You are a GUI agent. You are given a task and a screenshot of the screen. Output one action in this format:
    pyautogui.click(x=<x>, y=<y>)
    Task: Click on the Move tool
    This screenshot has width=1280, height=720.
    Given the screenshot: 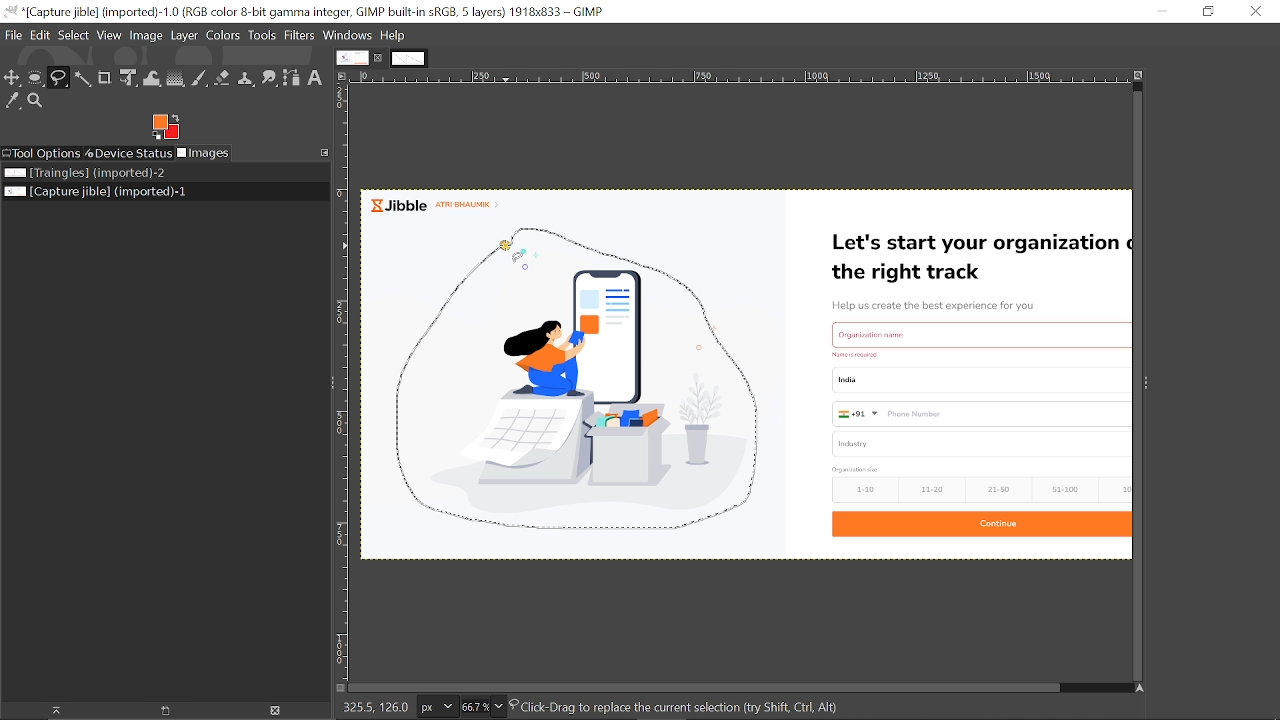 What is the action you would take?
    pyautogui.click(x=13, y=77)
    